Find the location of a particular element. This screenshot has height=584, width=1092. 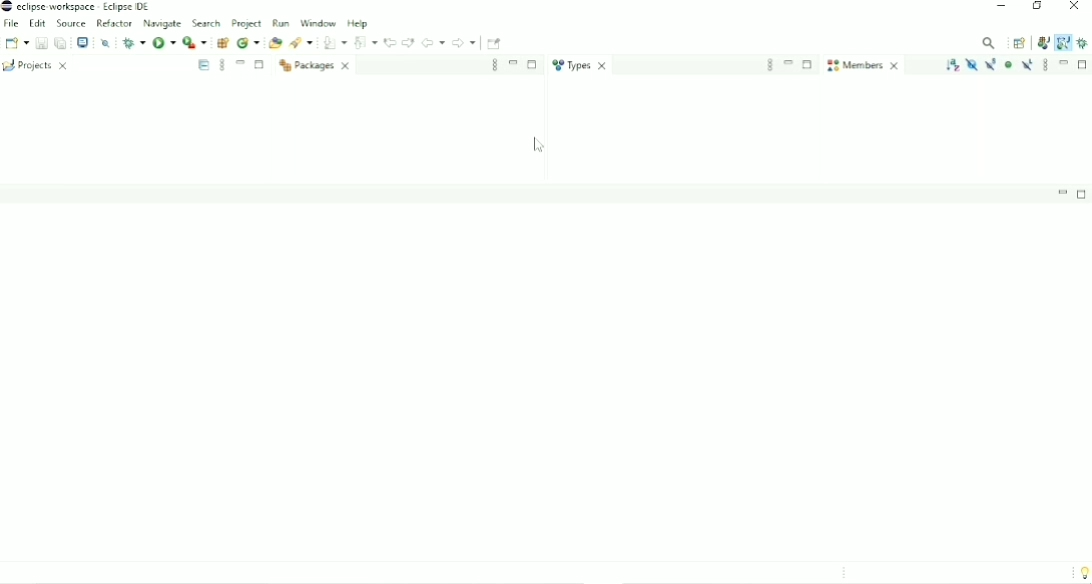

Java Browsing is located at coordinates (1063, 42).